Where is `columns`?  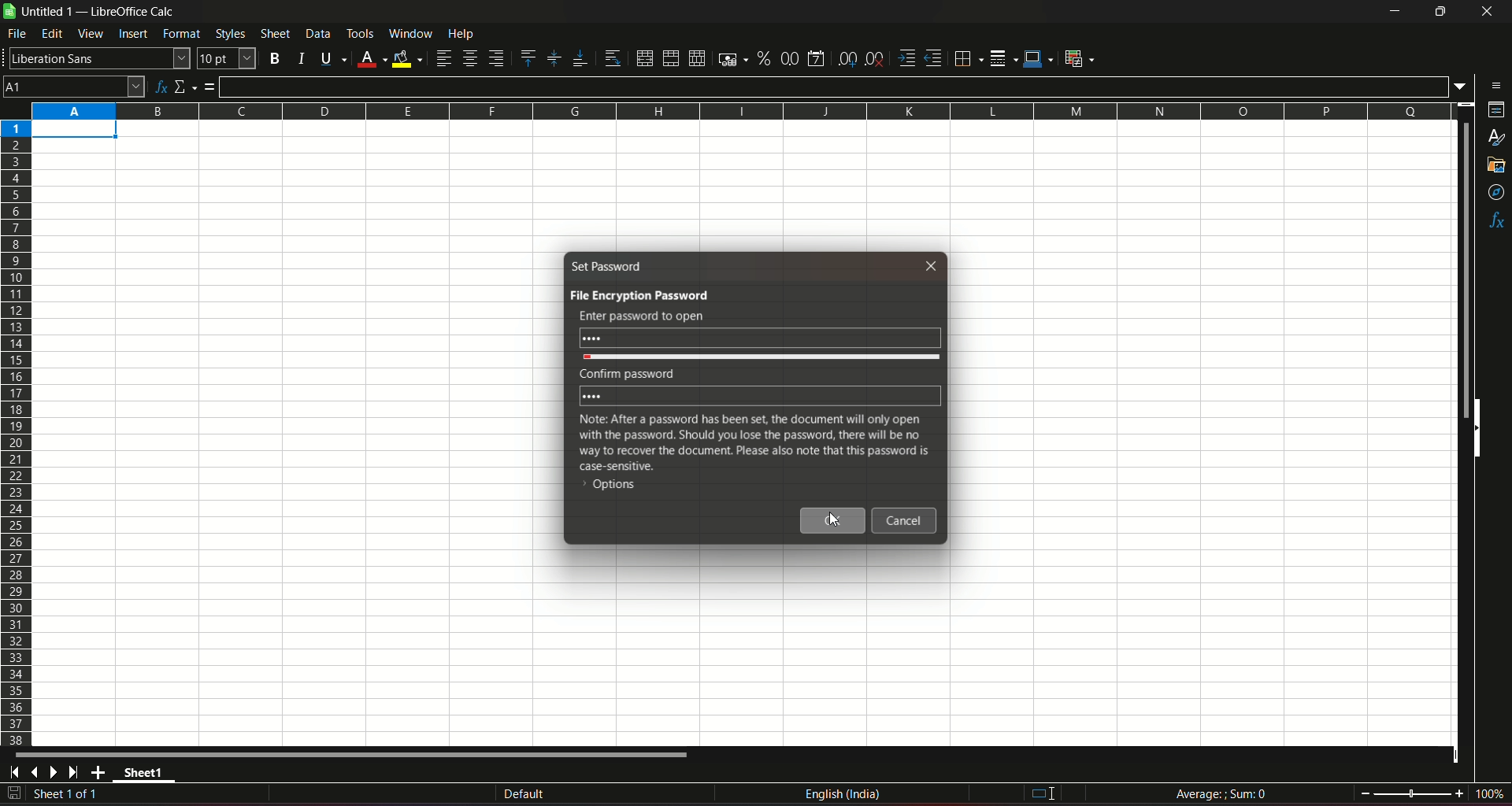 columns is located at coordinates (743, 111).